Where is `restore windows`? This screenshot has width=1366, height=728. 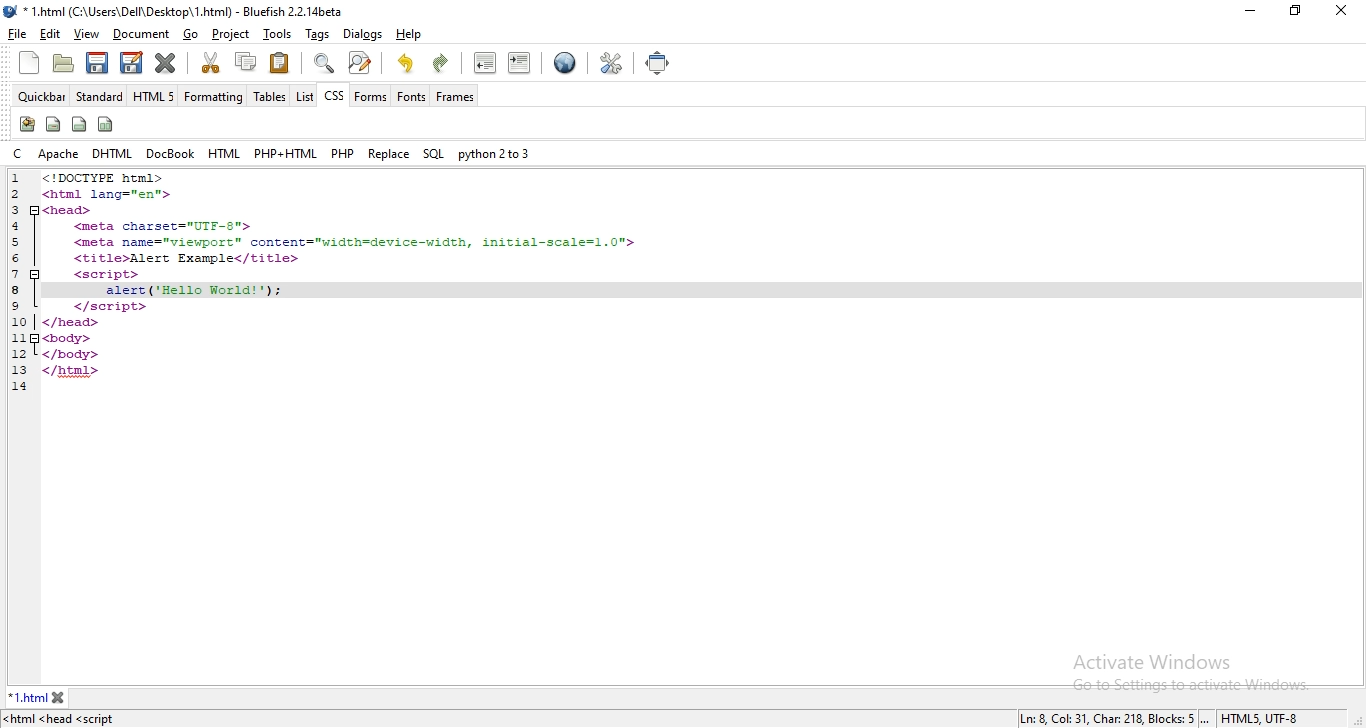
restore windows is located at coordinates (1297, 10).